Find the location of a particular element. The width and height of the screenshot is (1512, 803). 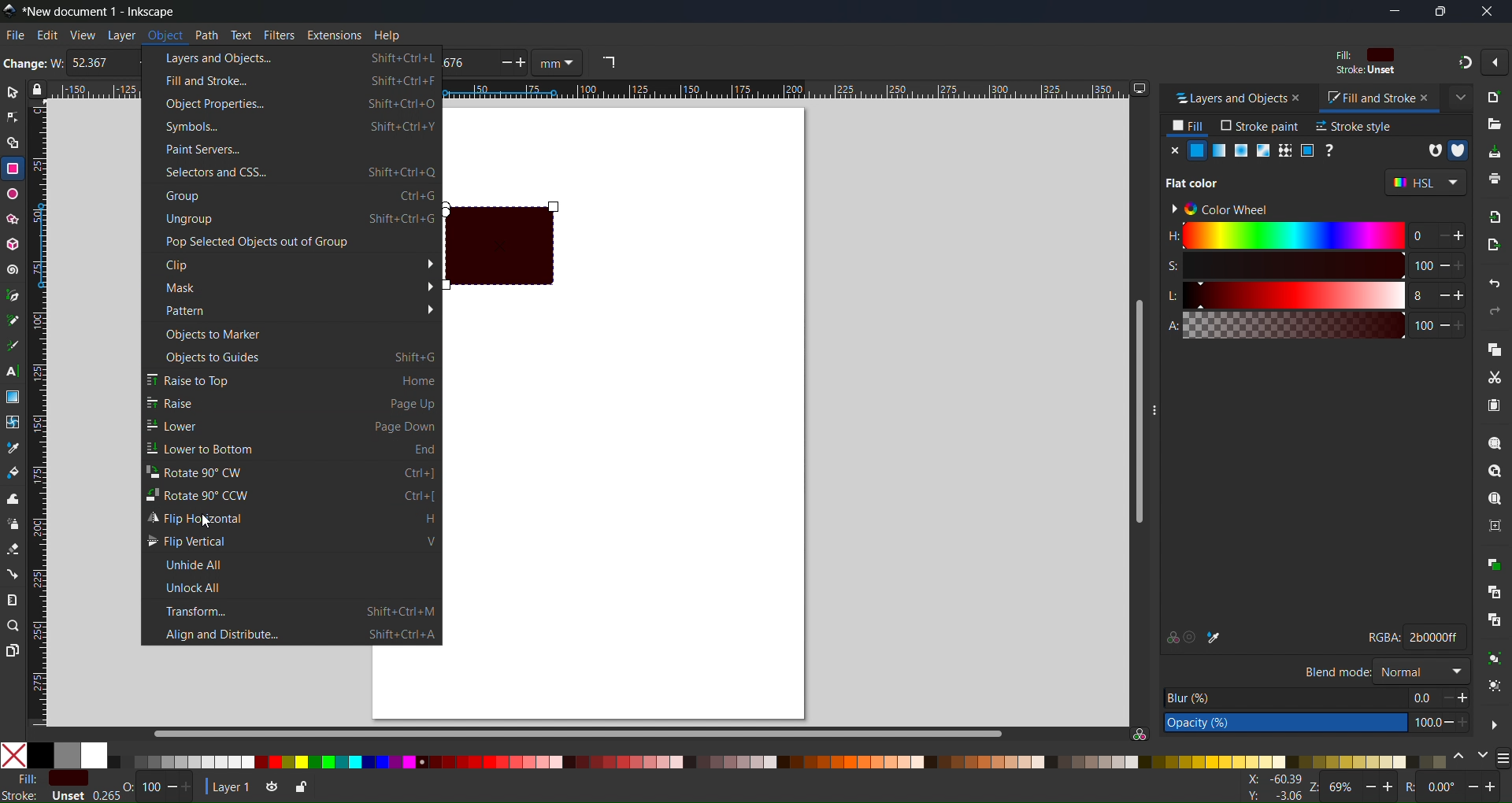

non zero is located at coordinates (1458, 150).